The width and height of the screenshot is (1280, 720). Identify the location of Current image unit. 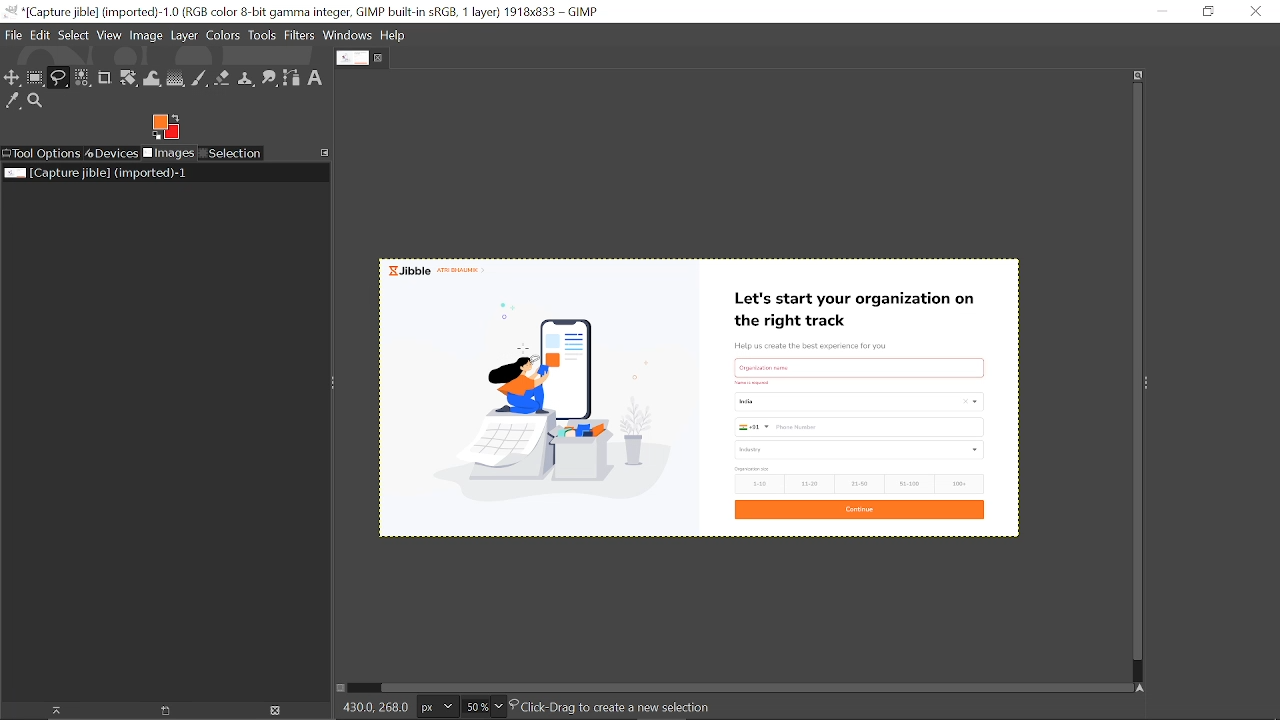
(435, 707).